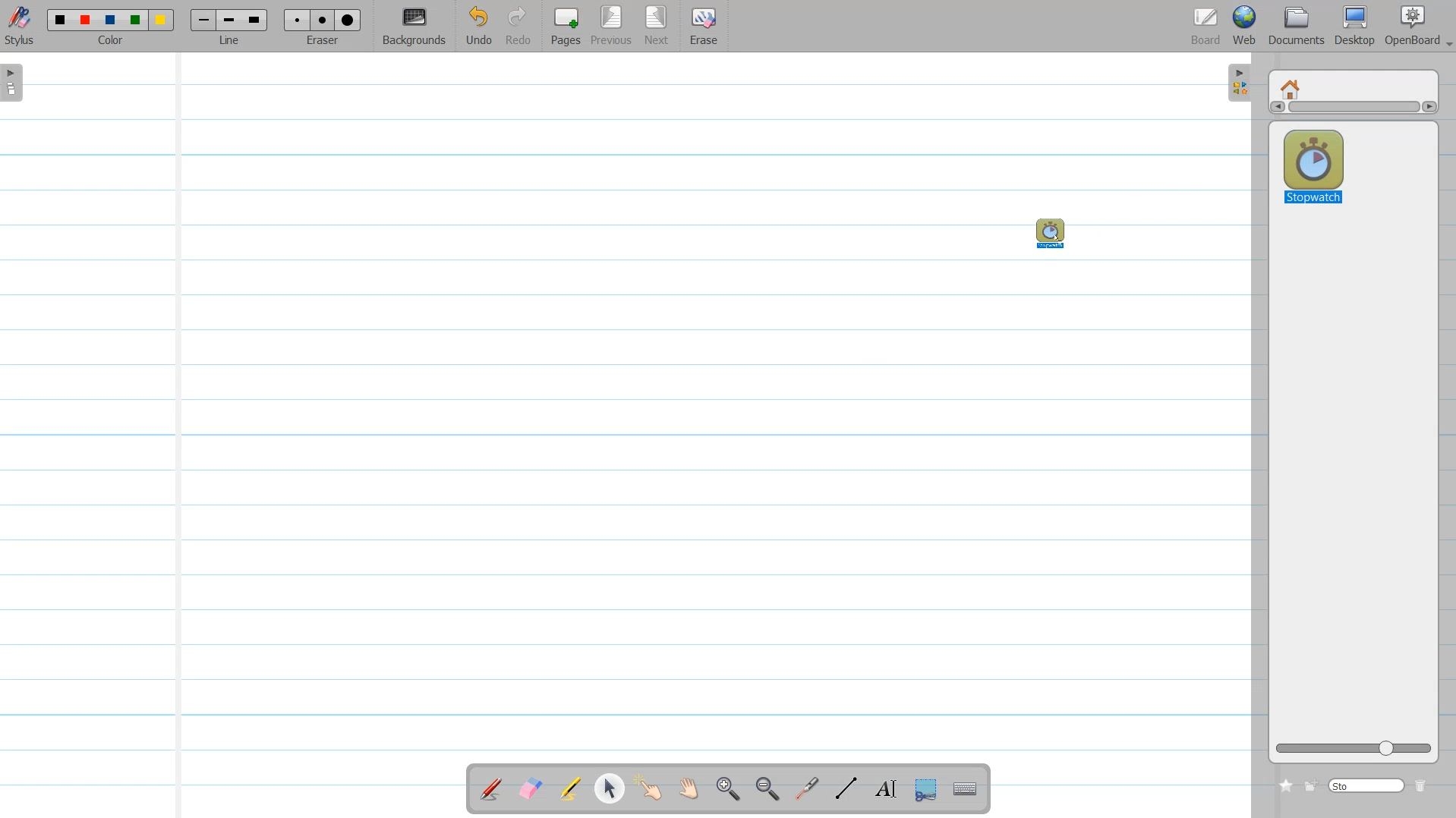 Image resolution: width=1456 pixels, height=818 pixels. I want to click on Virtual laser pointer, so click(807, 789).